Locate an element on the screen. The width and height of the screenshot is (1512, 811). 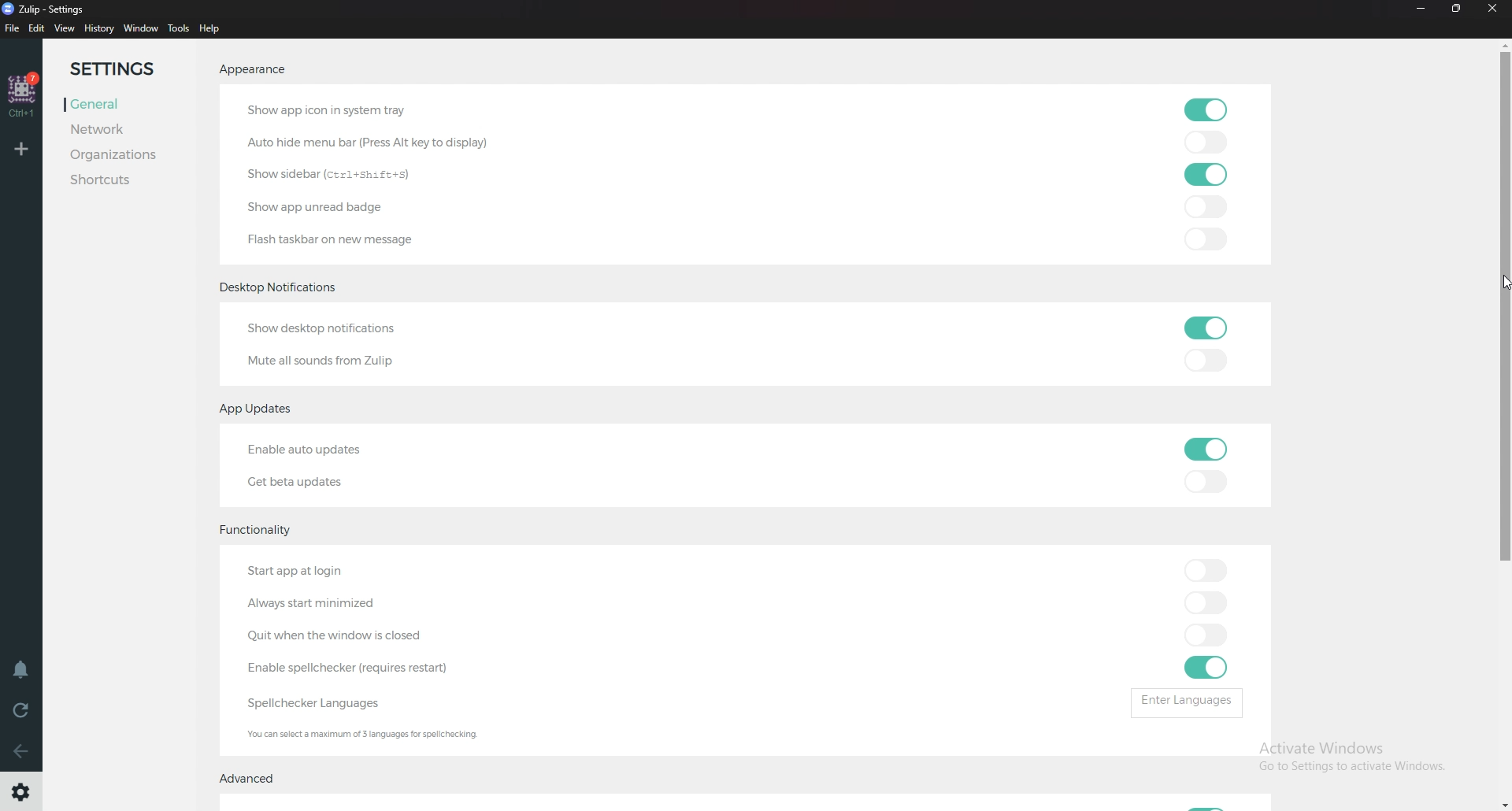
zulip is located at coordinates (42, 8).